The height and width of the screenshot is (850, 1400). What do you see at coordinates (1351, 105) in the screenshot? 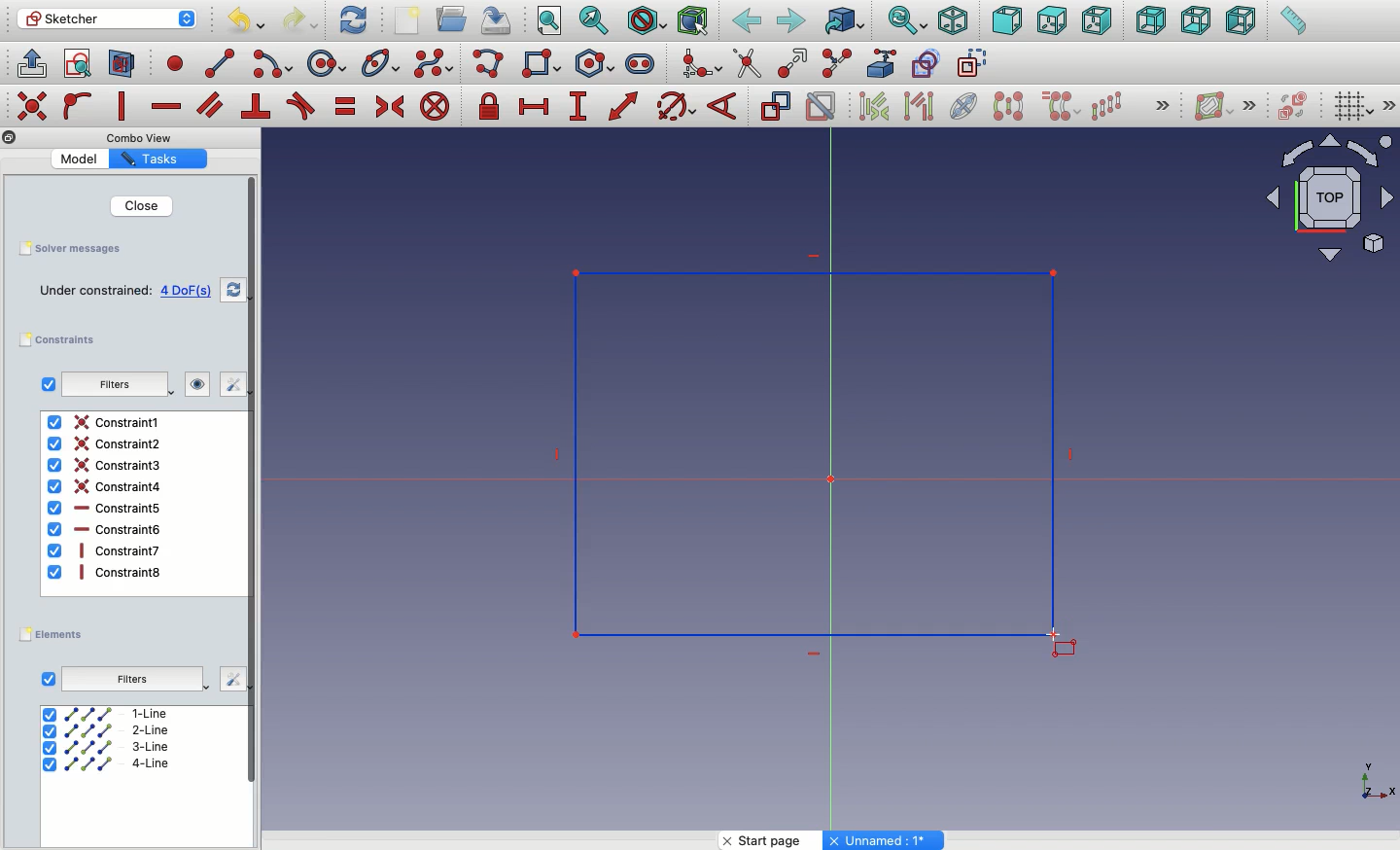
I see `Toggle grid` at bounding box center [1351, 105].